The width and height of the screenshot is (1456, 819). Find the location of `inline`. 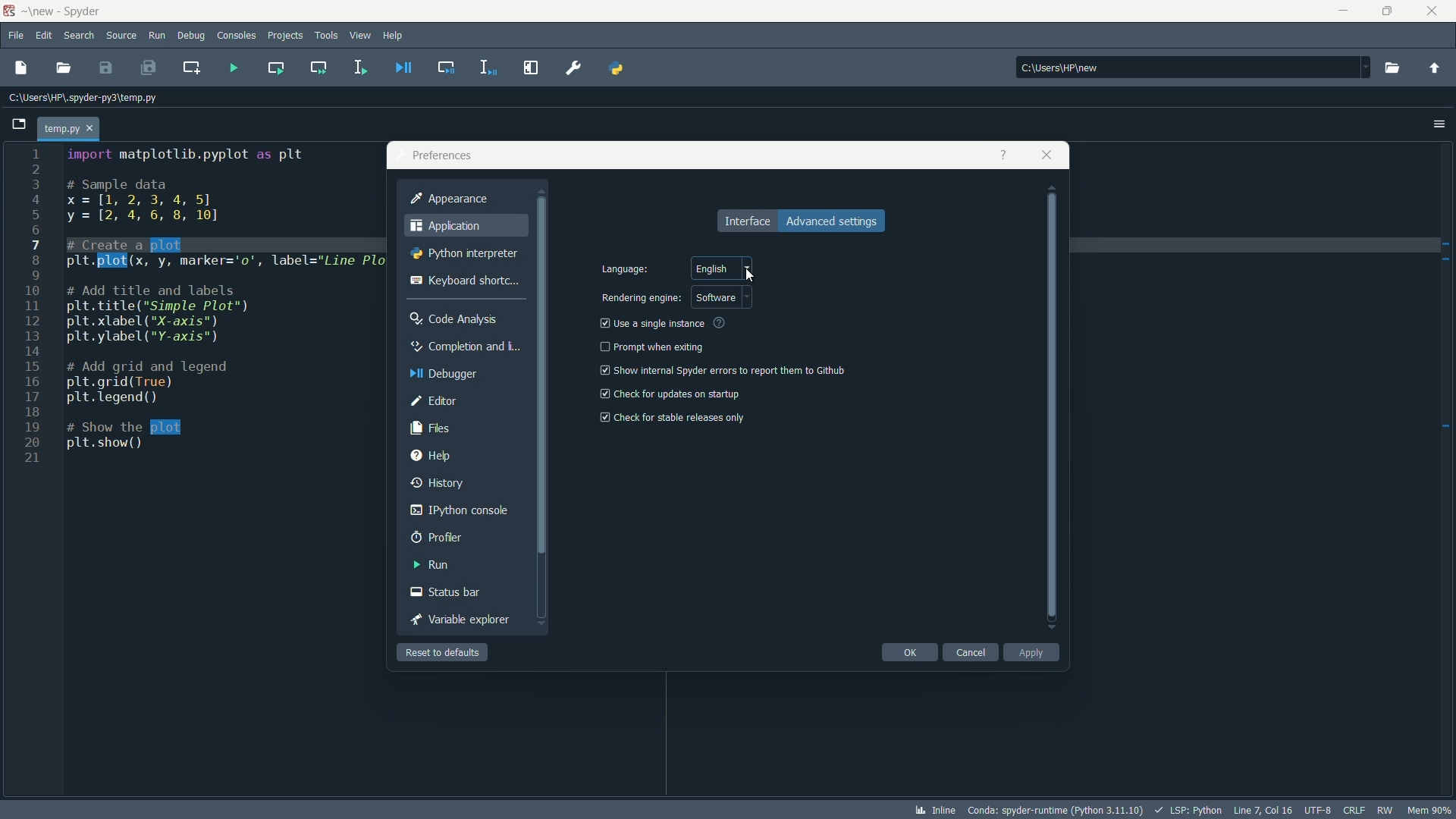

inline is located at coordinates (937, 811).